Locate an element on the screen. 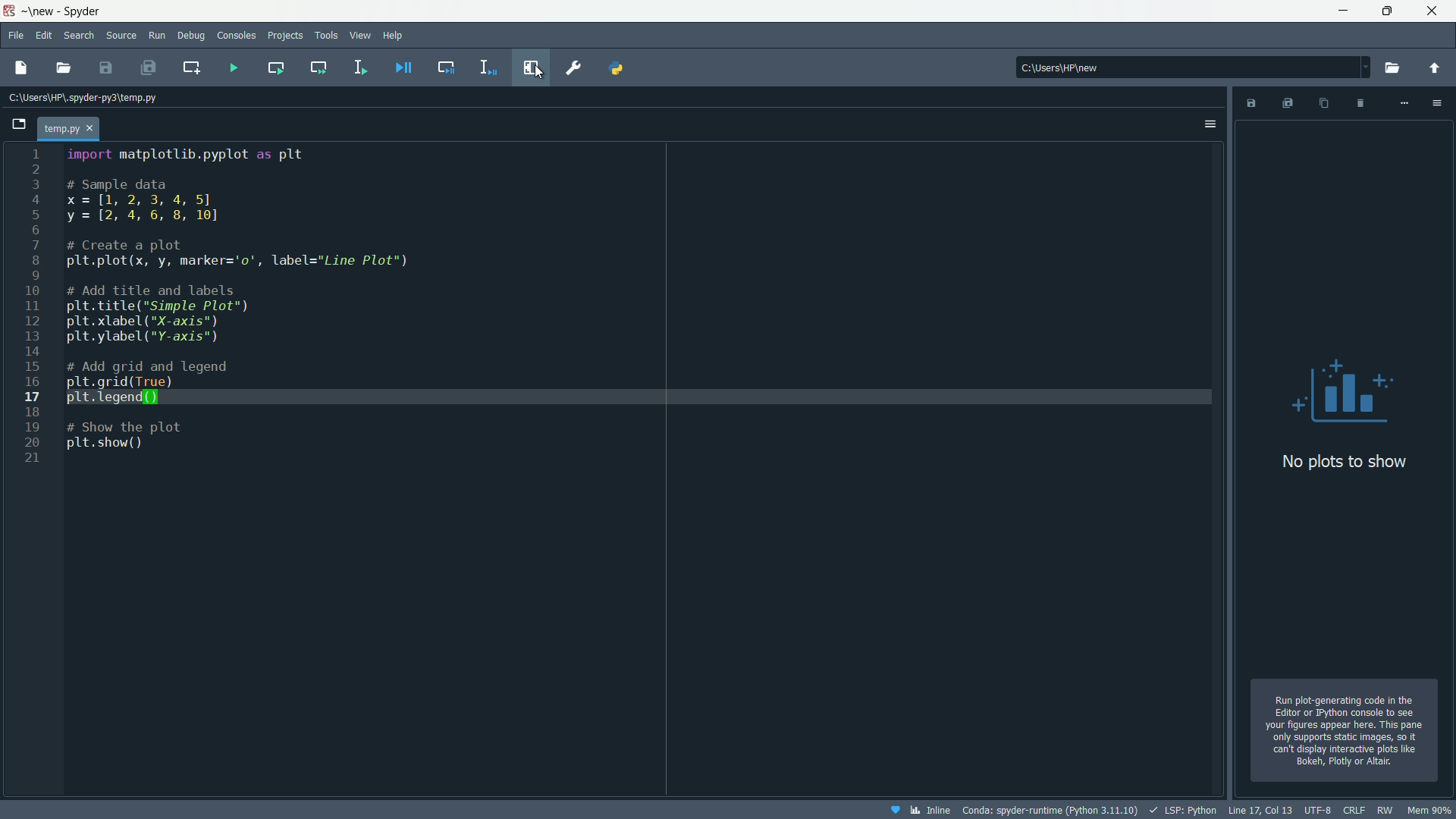 This screenshot has width=1456, height=819. debug is located at coordinates (193, 35).